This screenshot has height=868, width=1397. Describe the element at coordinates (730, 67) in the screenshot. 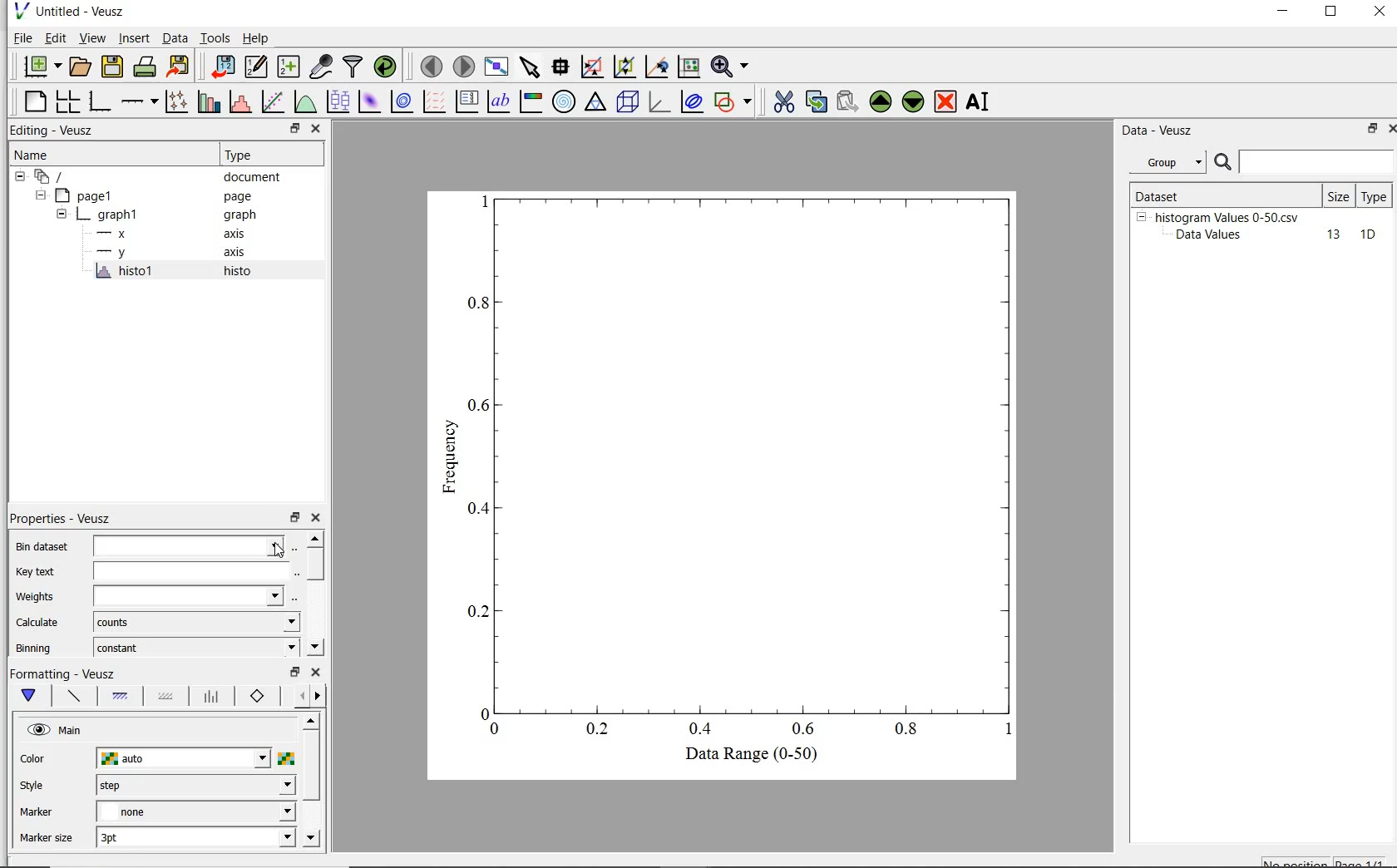

I see `zoom functions menu` at that location.